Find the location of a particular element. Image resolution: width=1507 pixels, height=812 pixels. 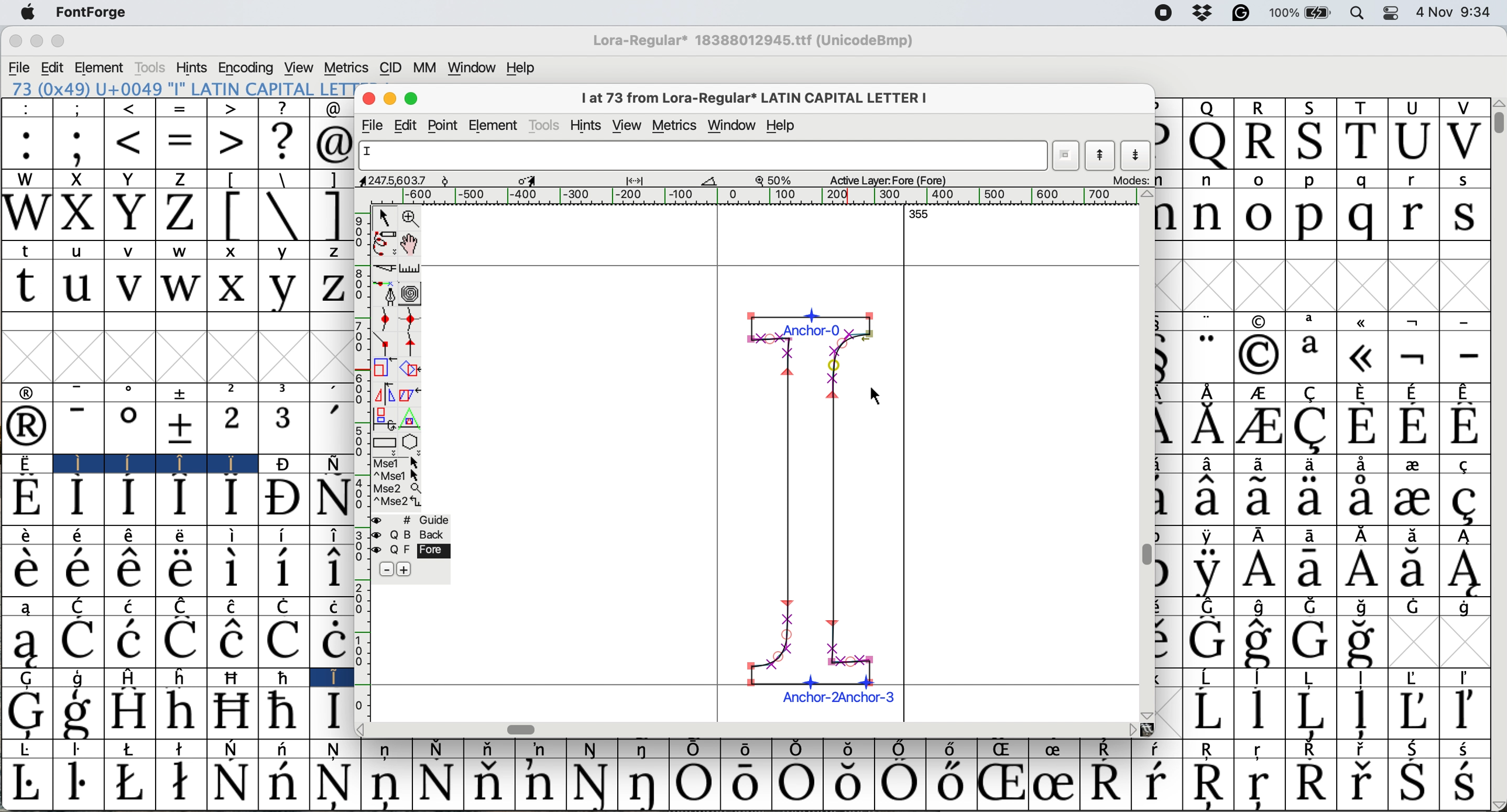

Symbol is located at coordinates (231, 711).